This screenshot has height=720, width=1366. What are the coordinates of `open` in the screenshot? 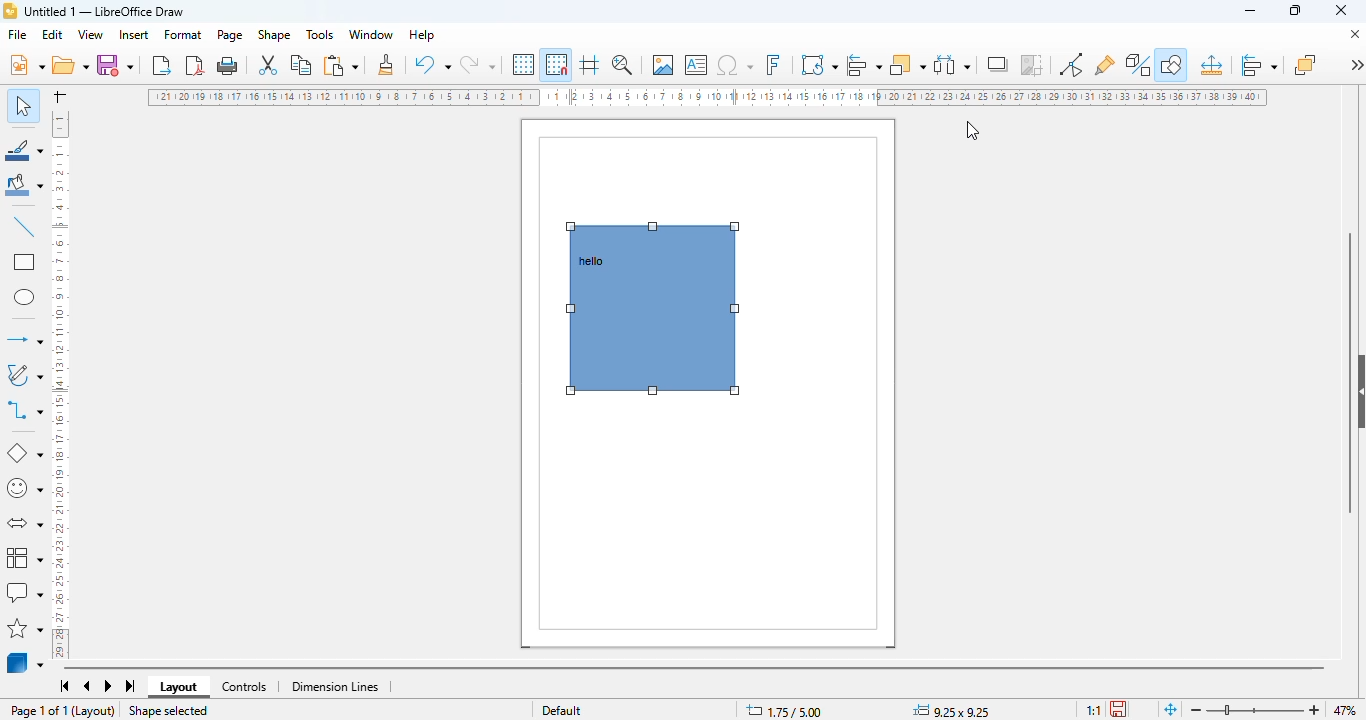 It's located at (69, 65).